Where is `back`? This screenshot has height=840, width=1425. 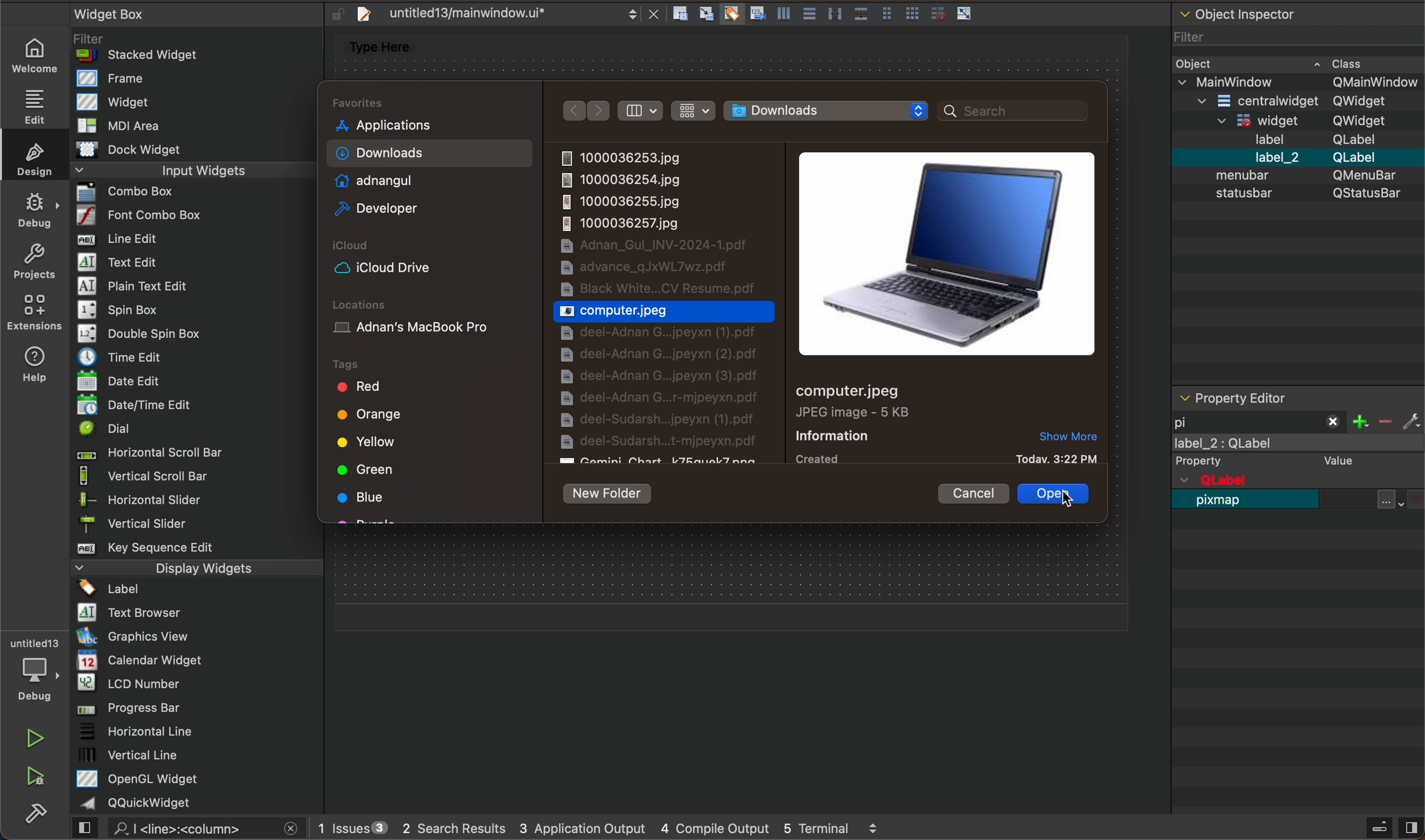
back is located at coordinates (573, 110).